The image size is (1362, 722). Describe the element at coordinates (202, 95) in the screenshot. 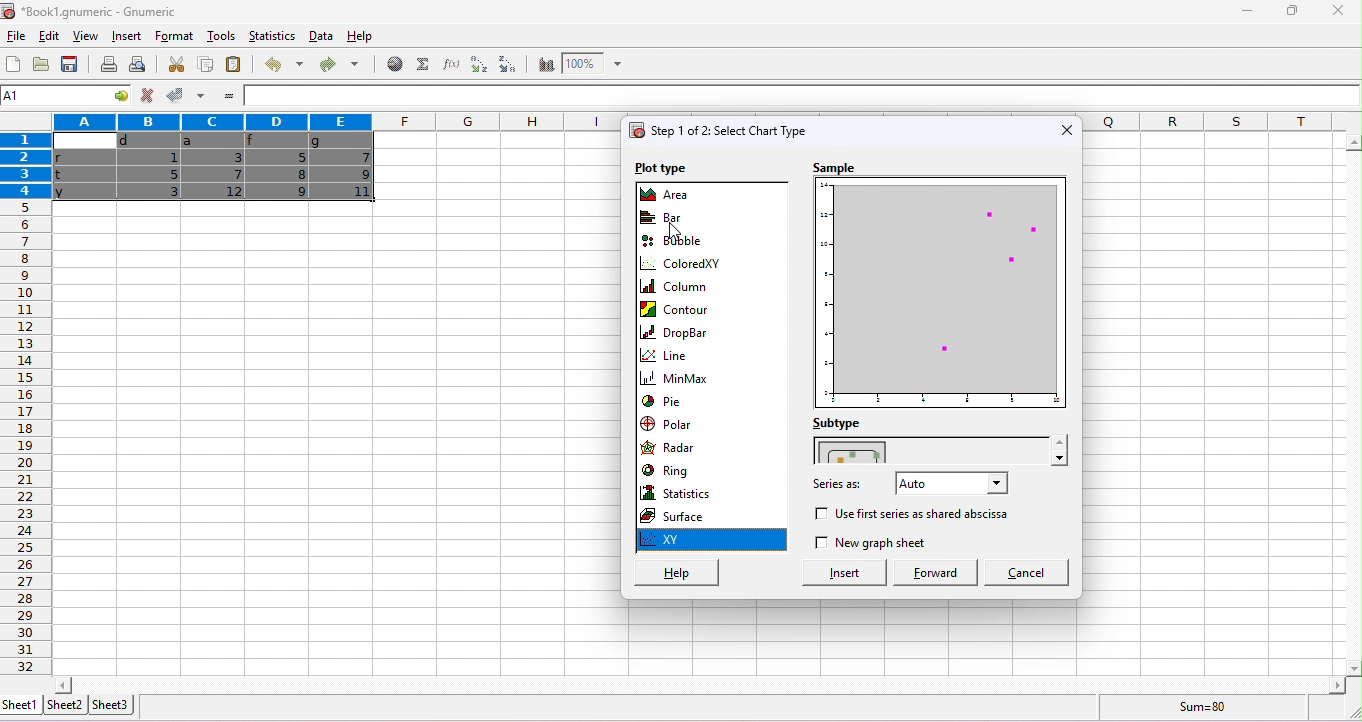

I see `accept multiple changes` at that location.